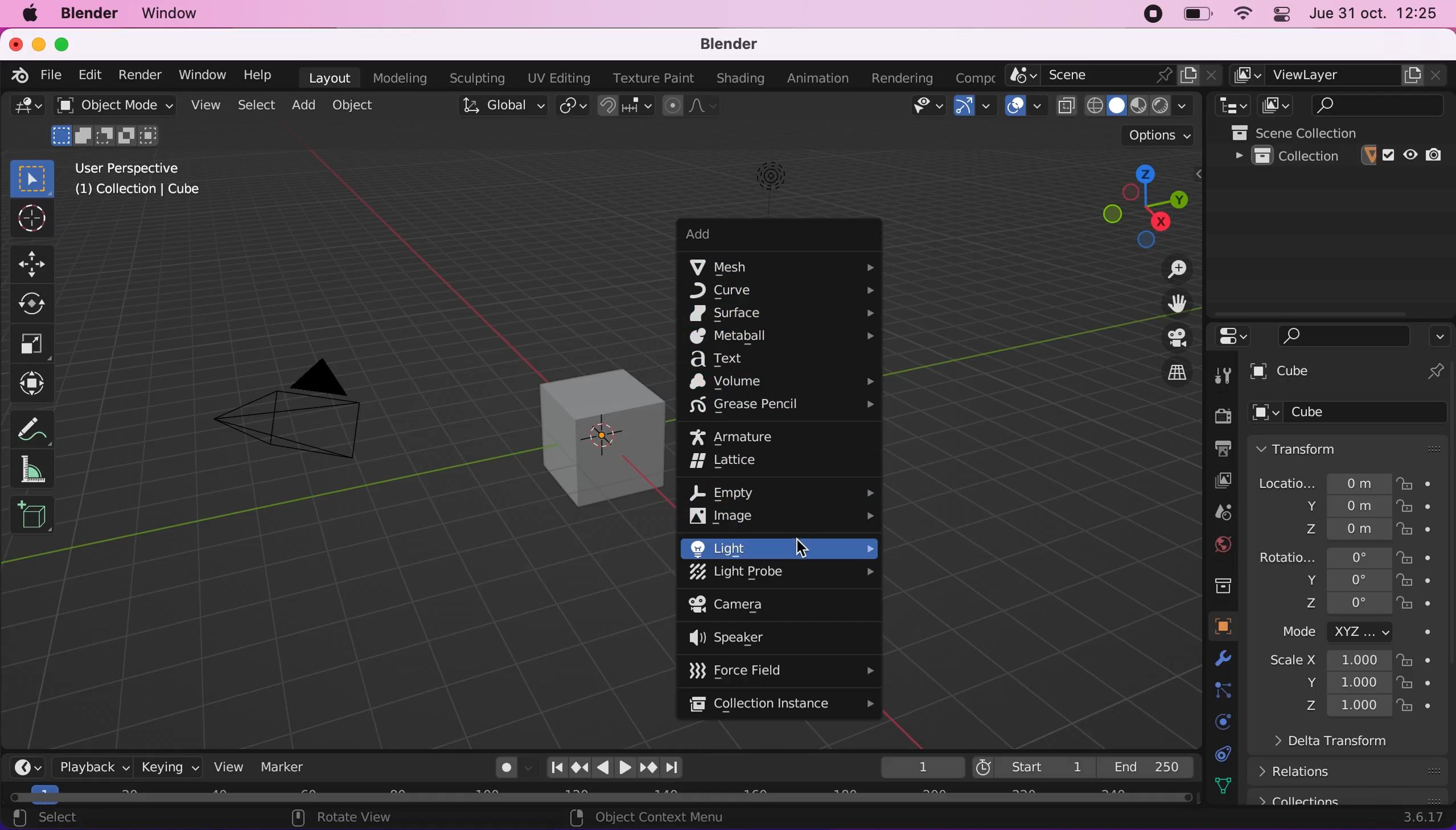 The width and height of the screenshot is (1456, 830). I want to click on options, so click(1439, 333).